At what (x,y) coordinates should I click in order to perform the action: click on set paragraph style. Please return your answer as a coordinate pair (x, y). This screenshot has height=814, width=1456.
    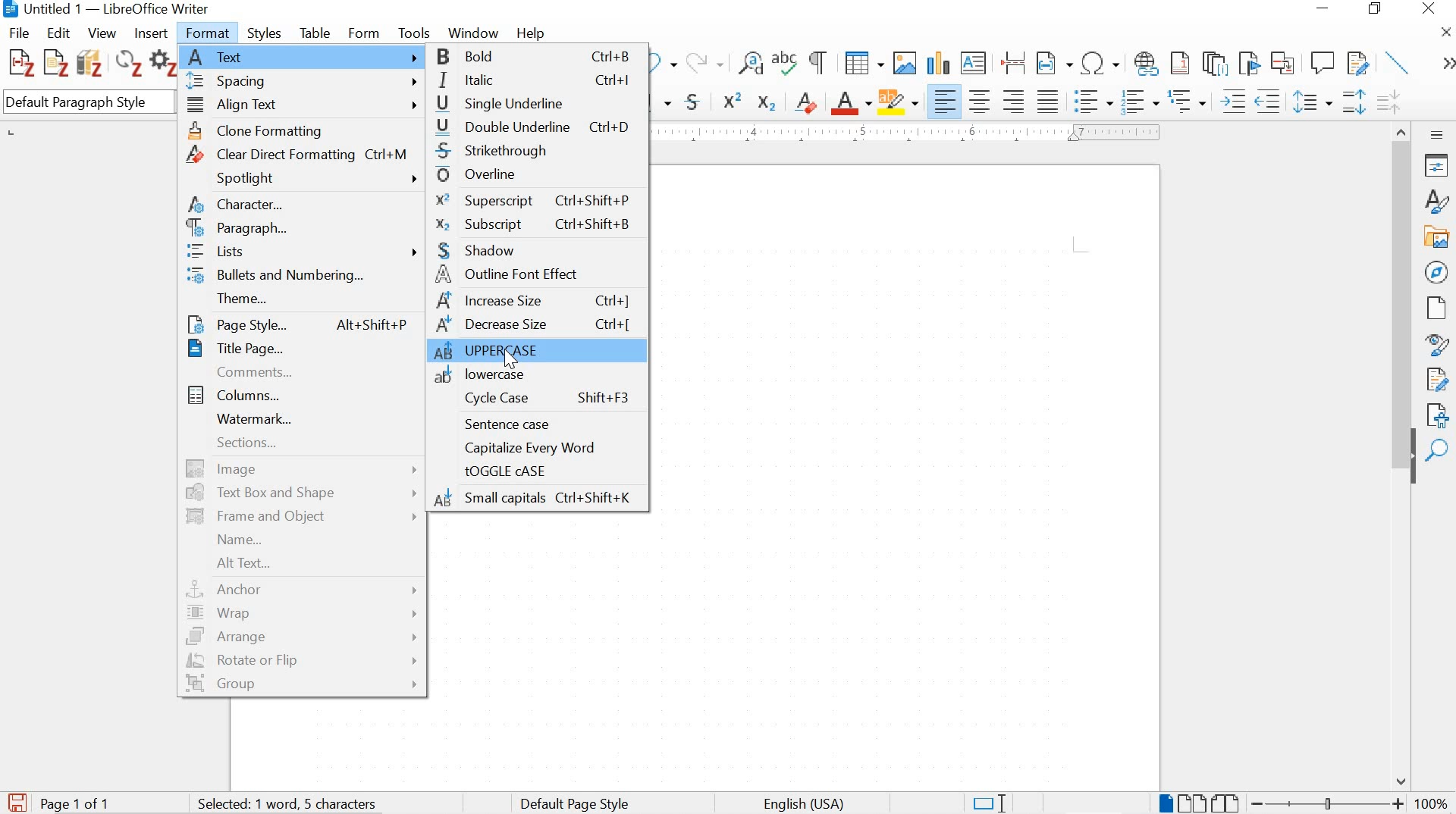
    Looking at the image, I should click on (89, 104).